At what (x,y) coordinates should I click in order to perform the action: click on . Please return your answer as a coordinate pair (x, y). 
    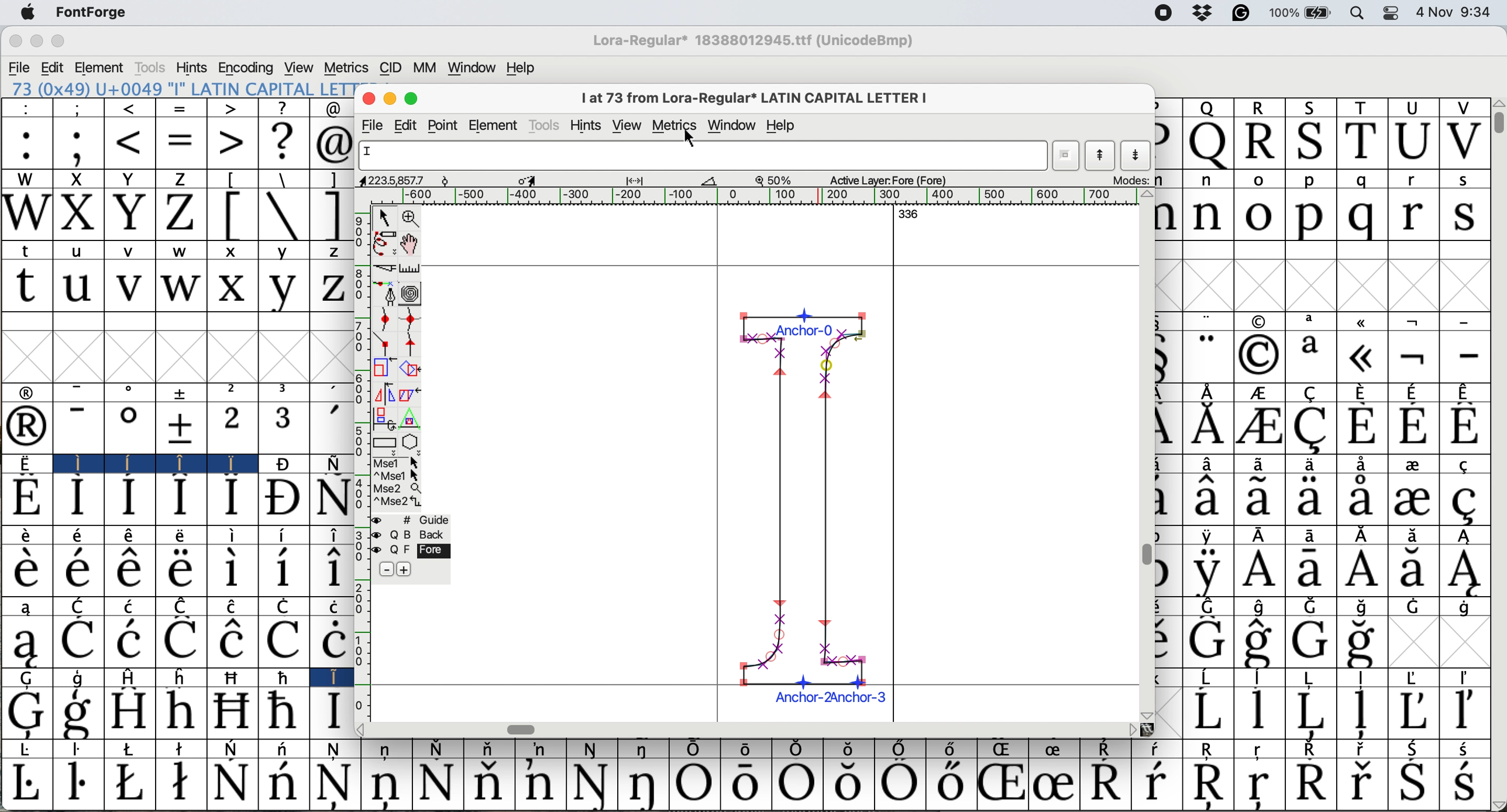
    Looking at the image, I should click on (181, 461).